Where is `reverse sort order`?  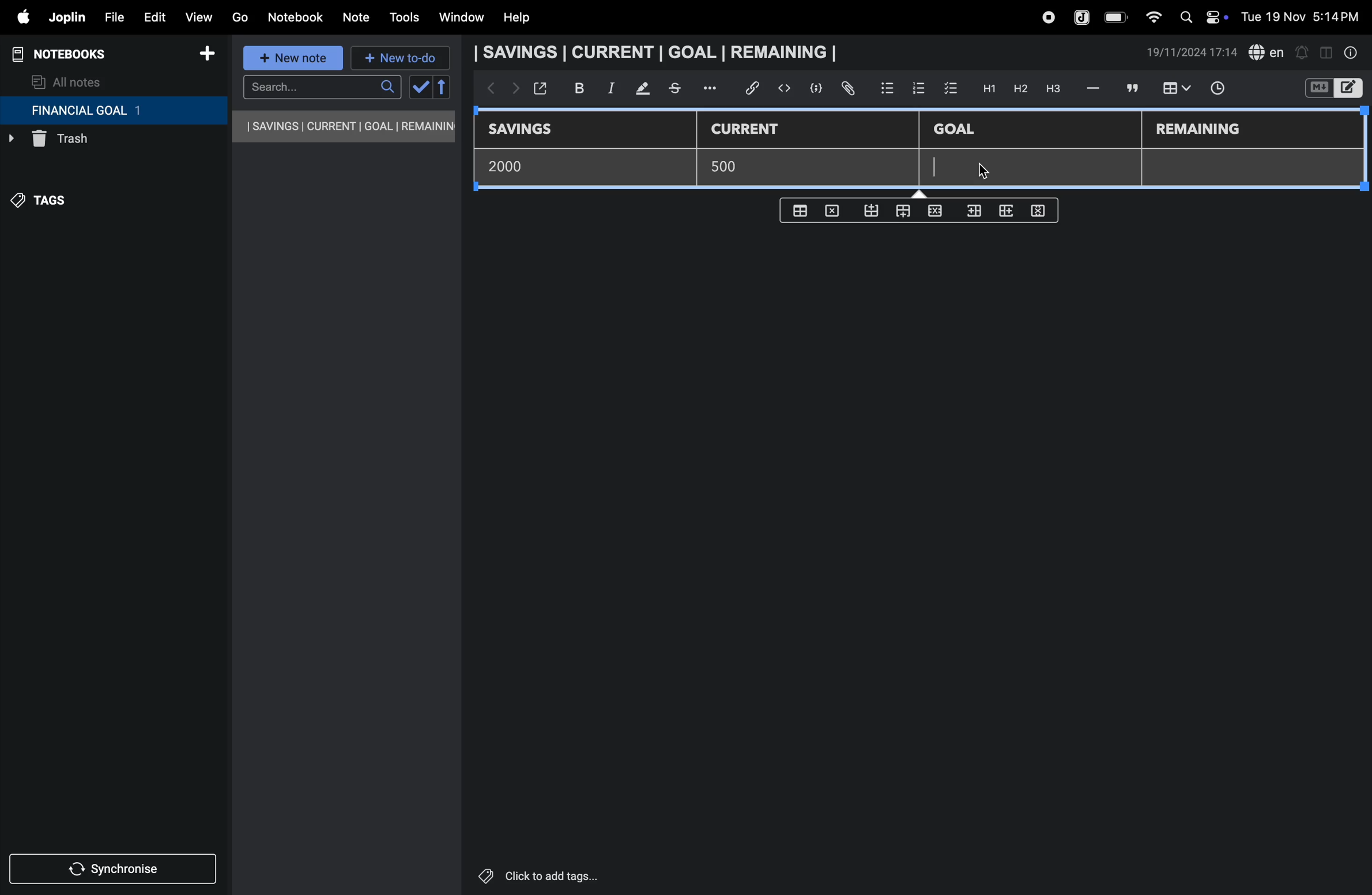 reverse sort order is located at coordinates (443, 87).